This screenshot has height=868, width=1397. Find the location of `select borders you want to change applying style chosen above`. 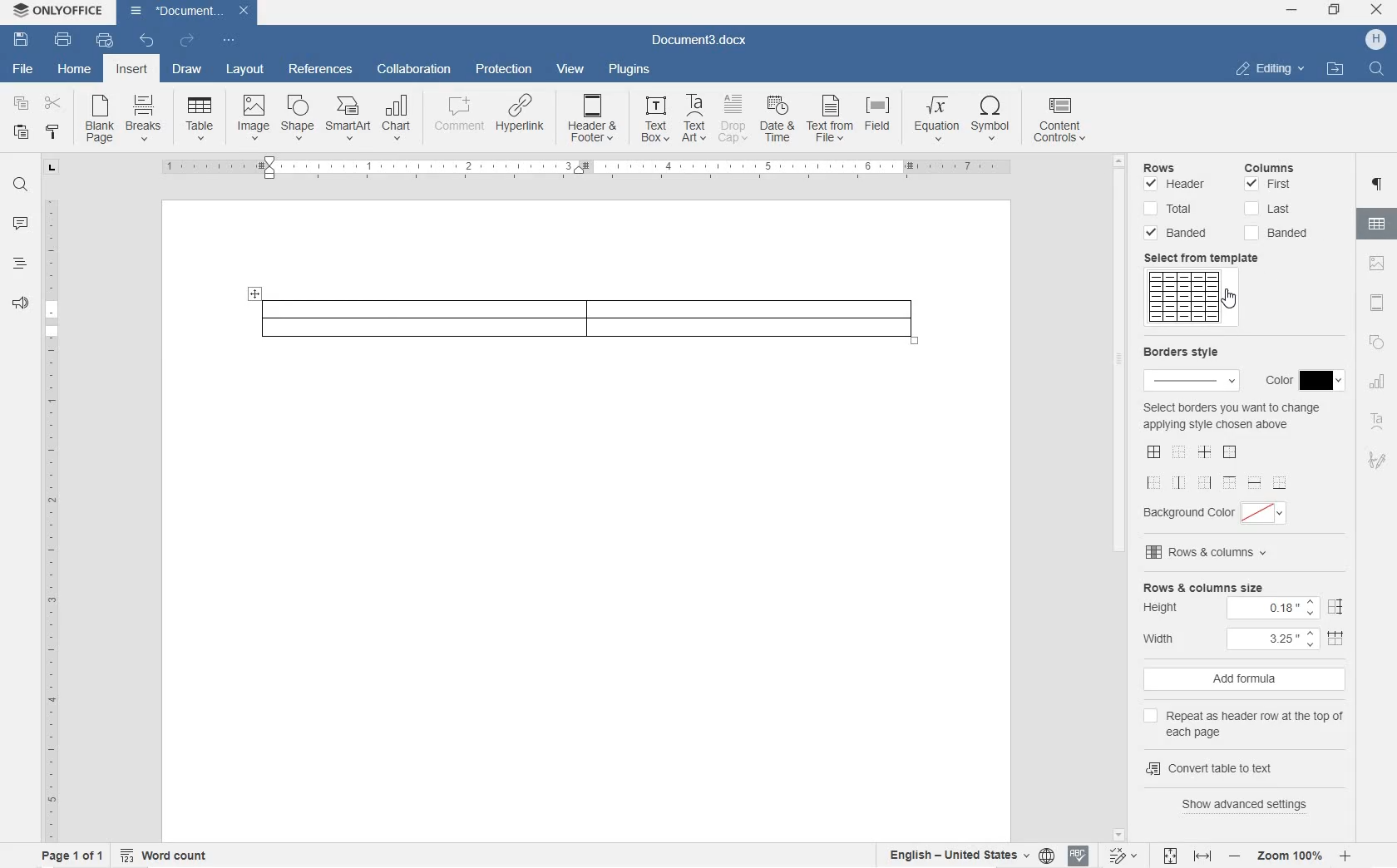

select borders you want to change applying style chosen above is located at coordinates (1231, 417).